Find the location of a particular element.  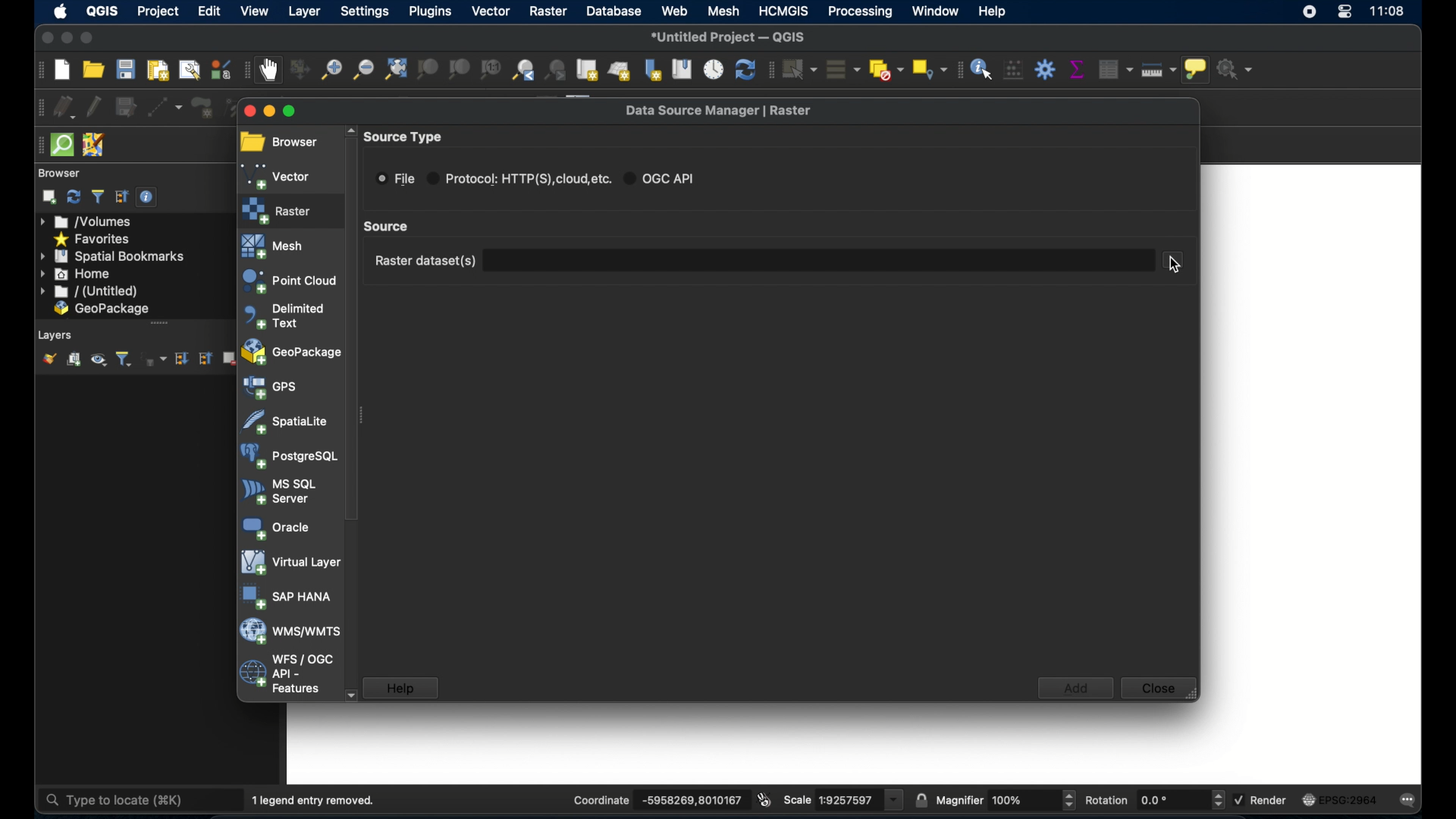

zoom out is located at coordinates (363, 69).